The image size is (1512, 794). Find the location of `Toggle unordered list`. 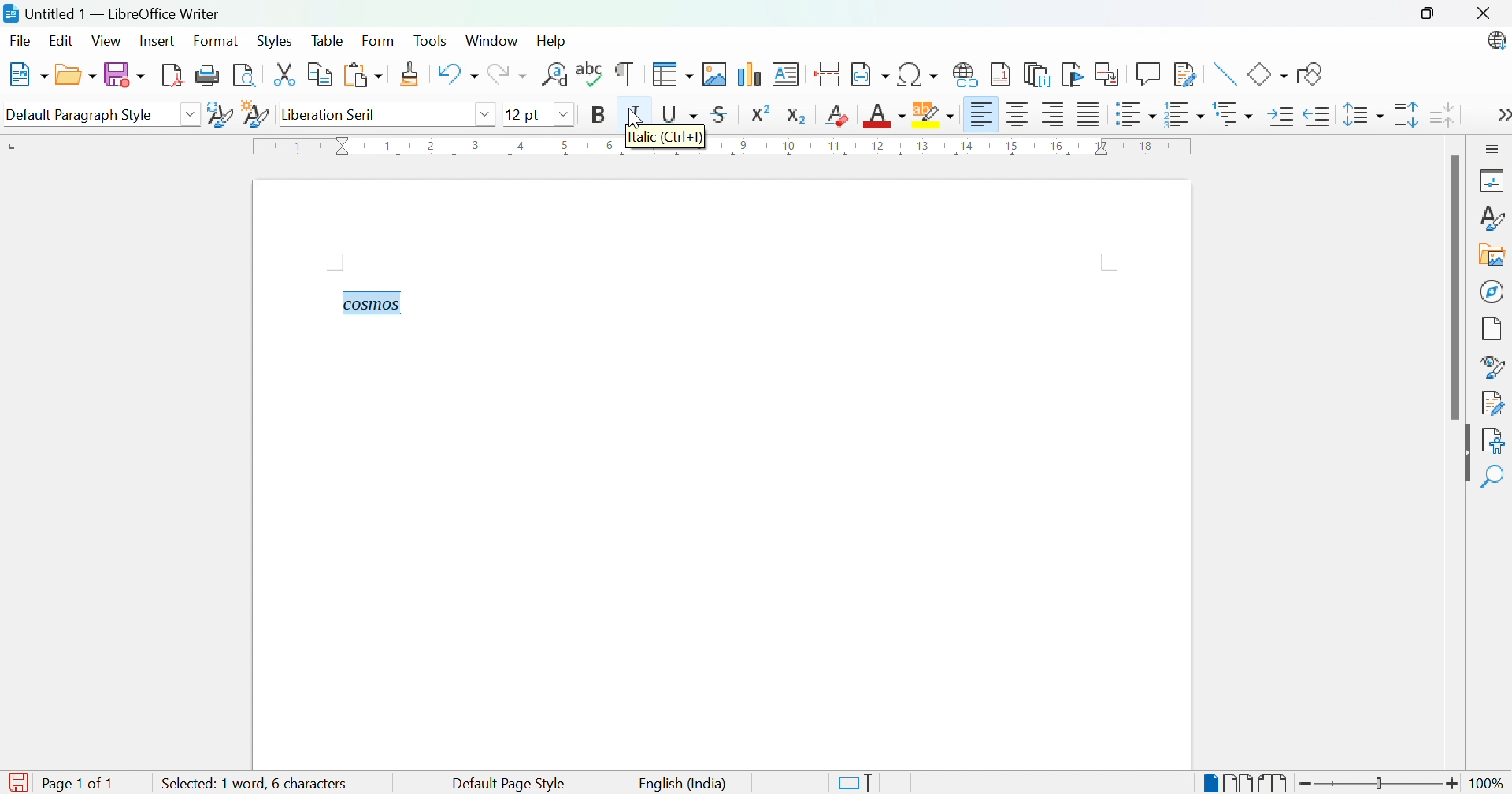

Toggle unordered list is located at coordinates (1135, 116).